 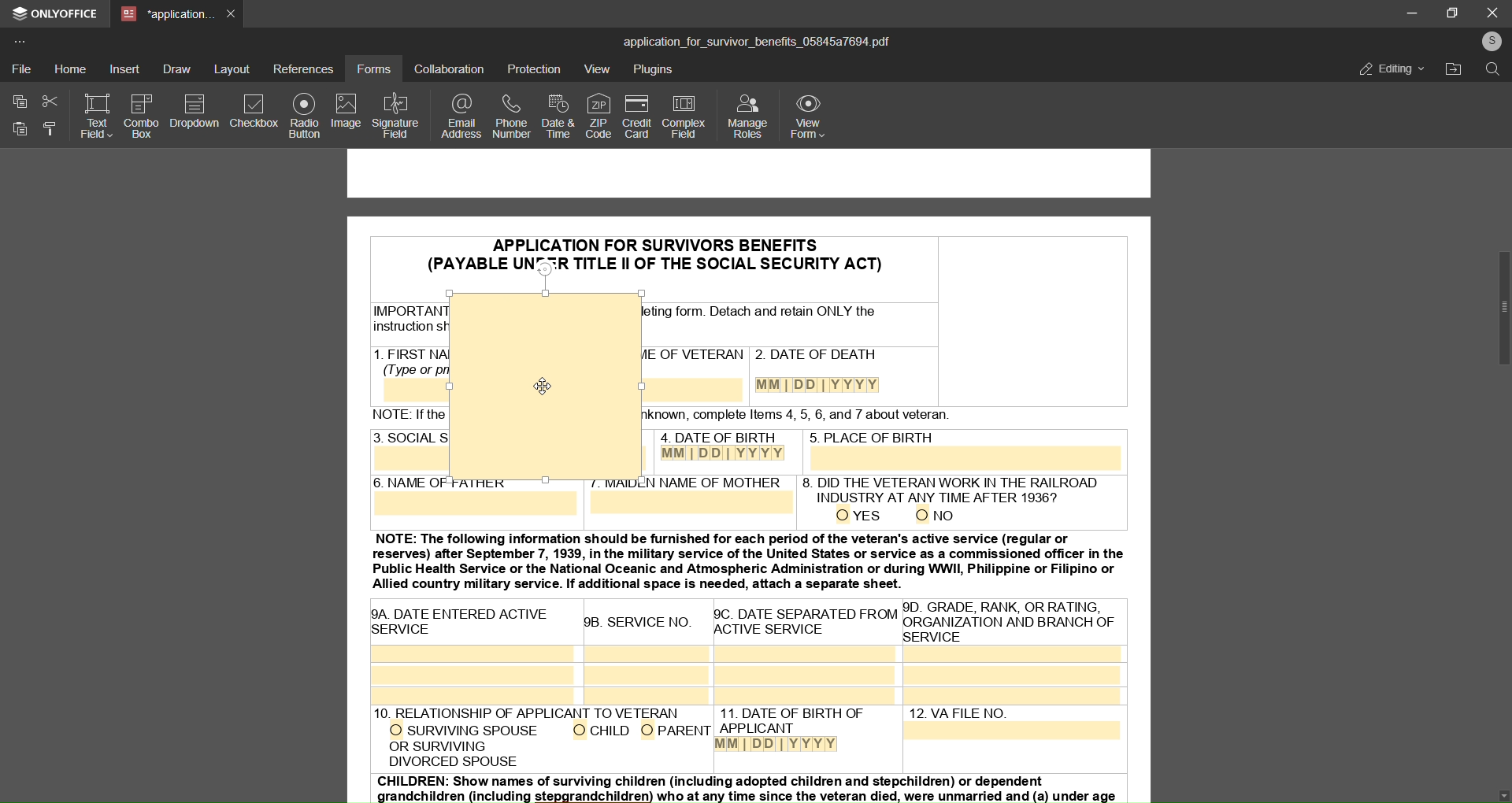 What do you see at coordinates (1455, 12) in the screenshot?
I see `maximize` at bounding box center [1455, 12].